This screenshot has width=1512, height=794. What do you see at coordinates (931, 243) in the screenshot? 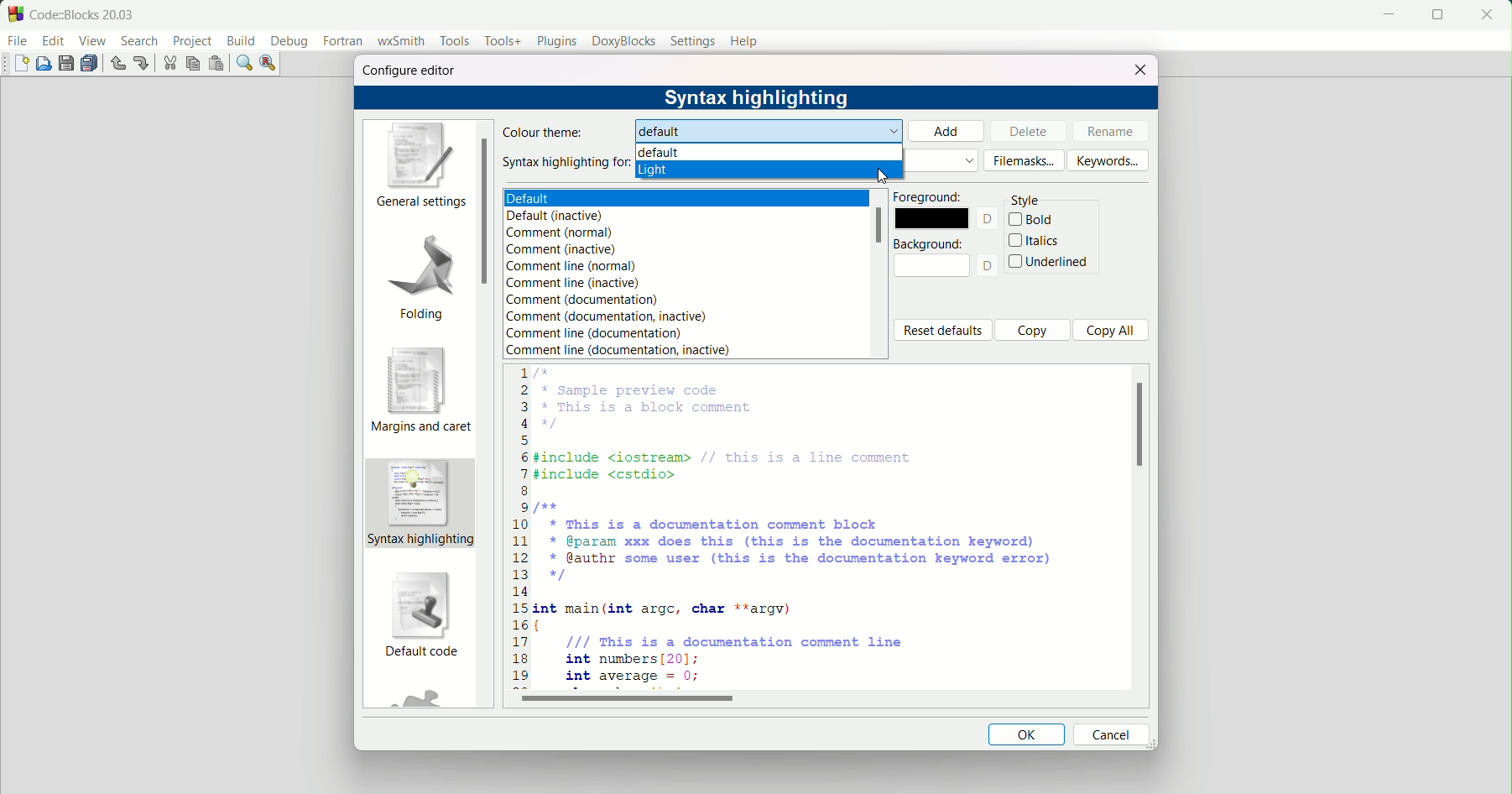
I see `background` at bounding box center [931, 243].